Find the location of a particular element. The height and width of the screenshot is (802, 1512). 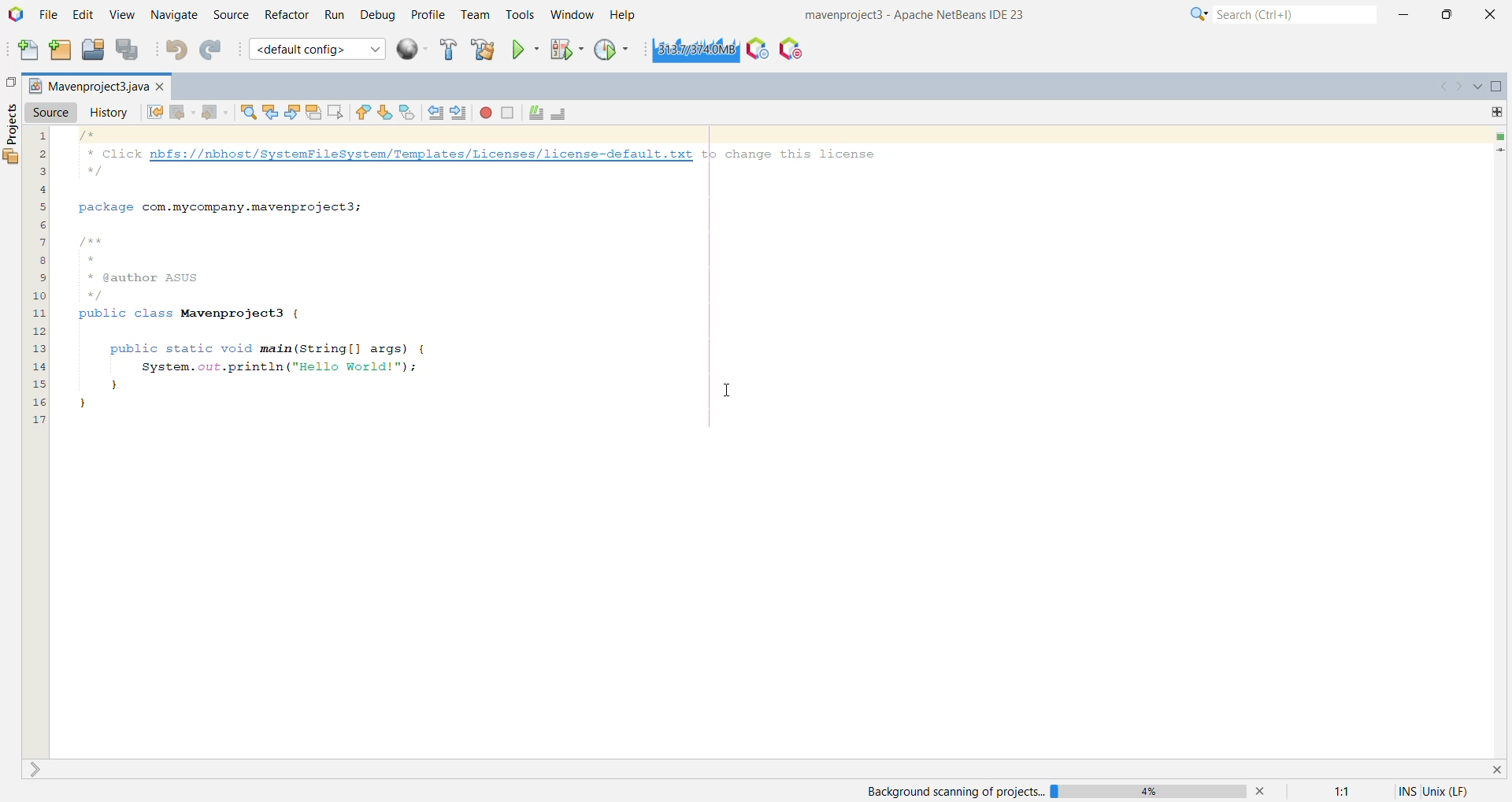

A basic Java application that outputs "Hello World" to the screen, built and managed using Maven. is located at coordinates (475, 277).